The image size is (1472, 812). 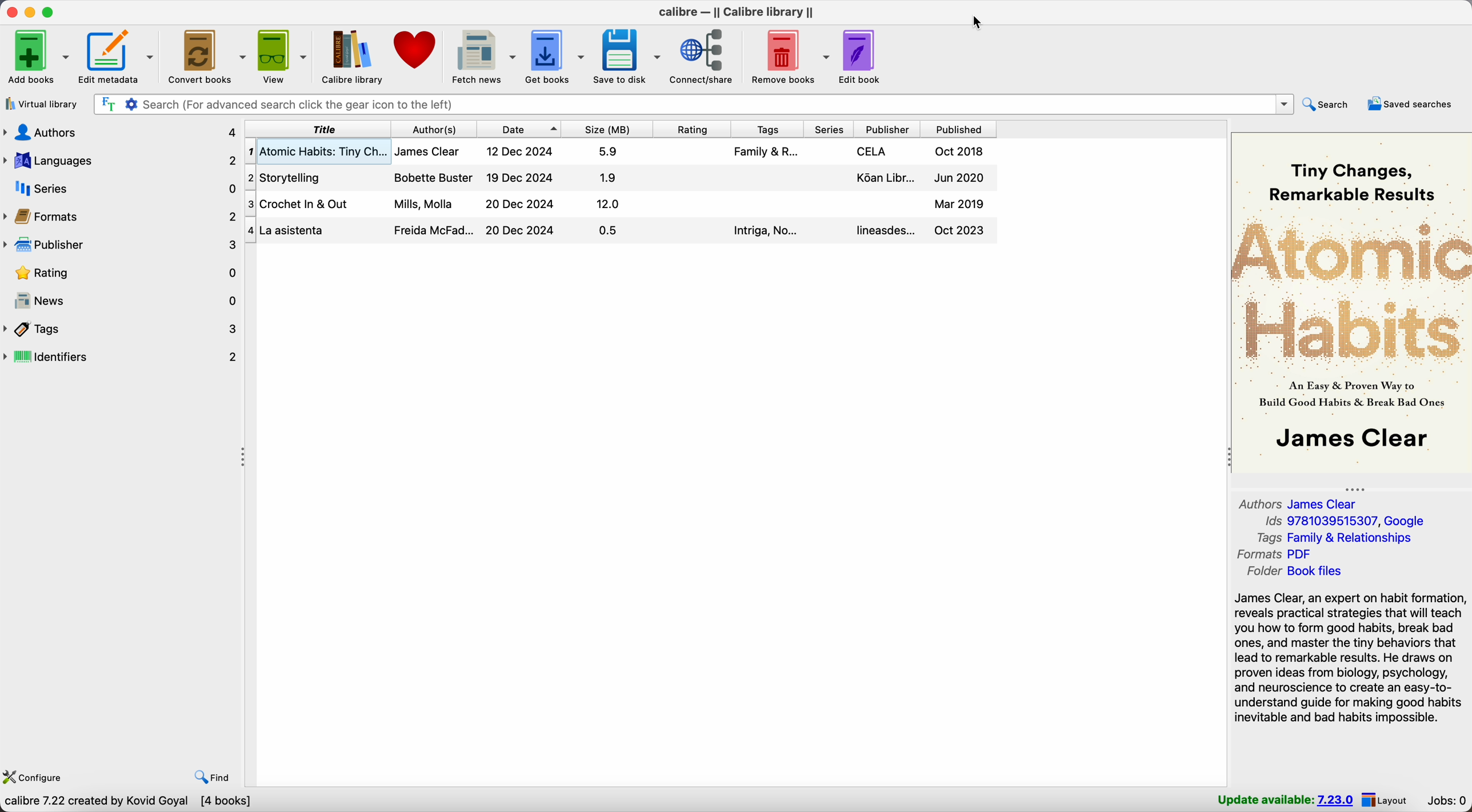 What do you see at coordinates (1386, 800) in the screenshot?
I see `layout` at bounding box center [1386, 800].